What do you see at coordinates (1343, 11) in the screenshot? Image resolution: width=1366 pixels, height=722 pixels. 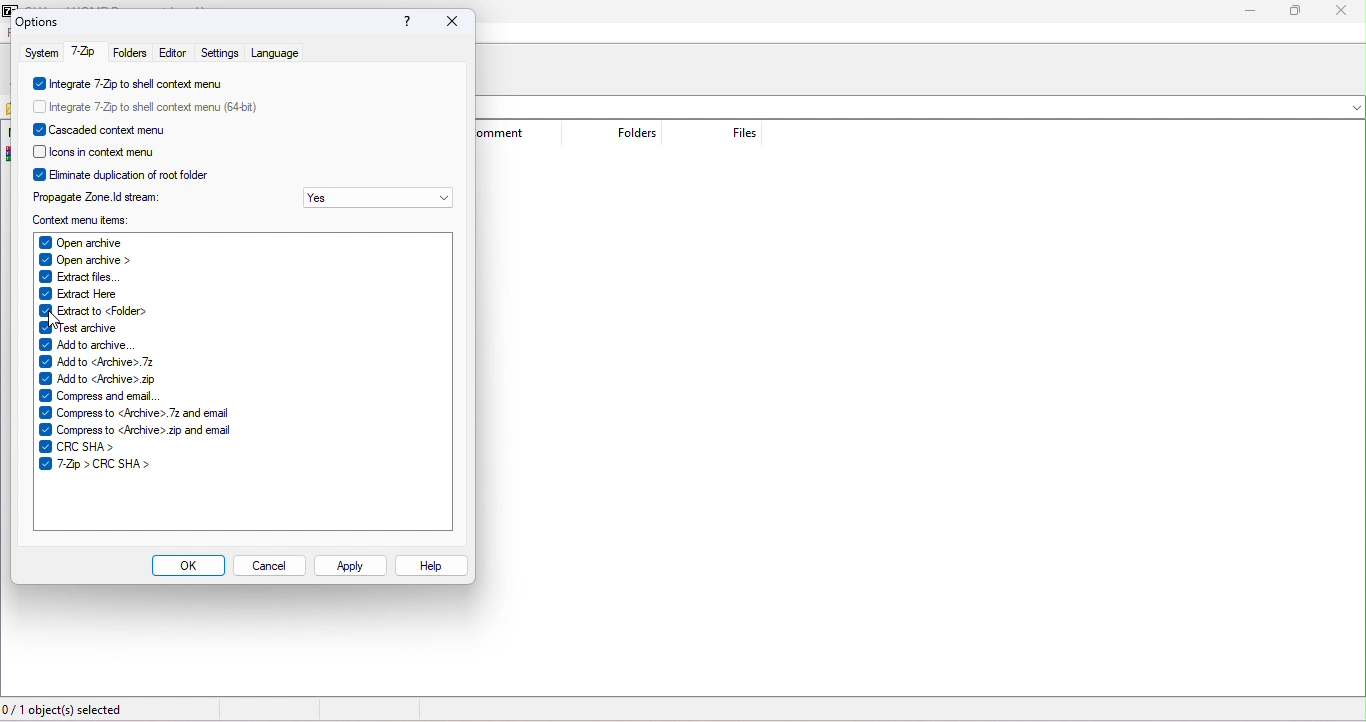 I see `close` at bounding box center [1343, 11].